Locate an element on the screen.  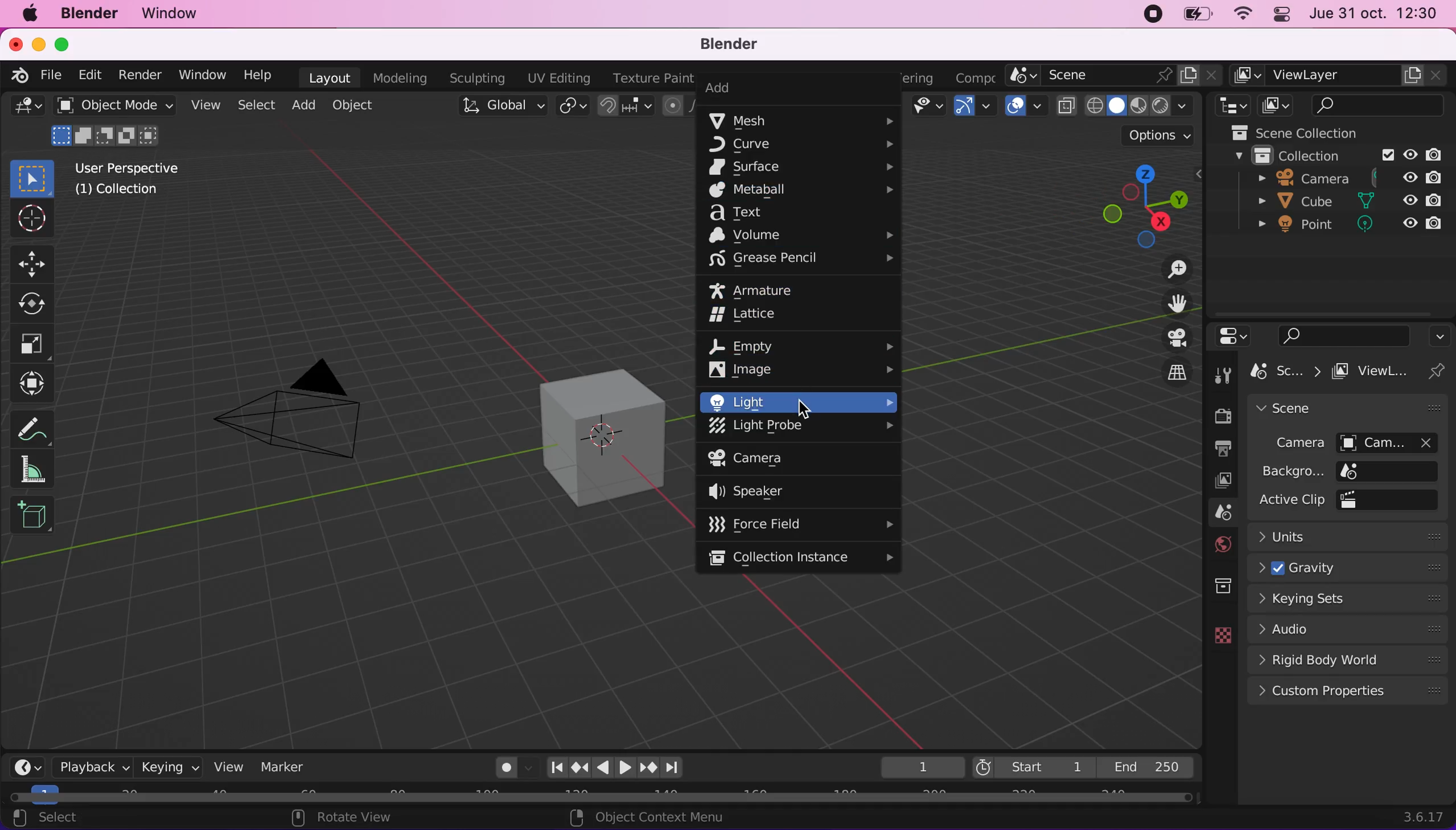
zoom in/out is located at coordinates (1168, 270).